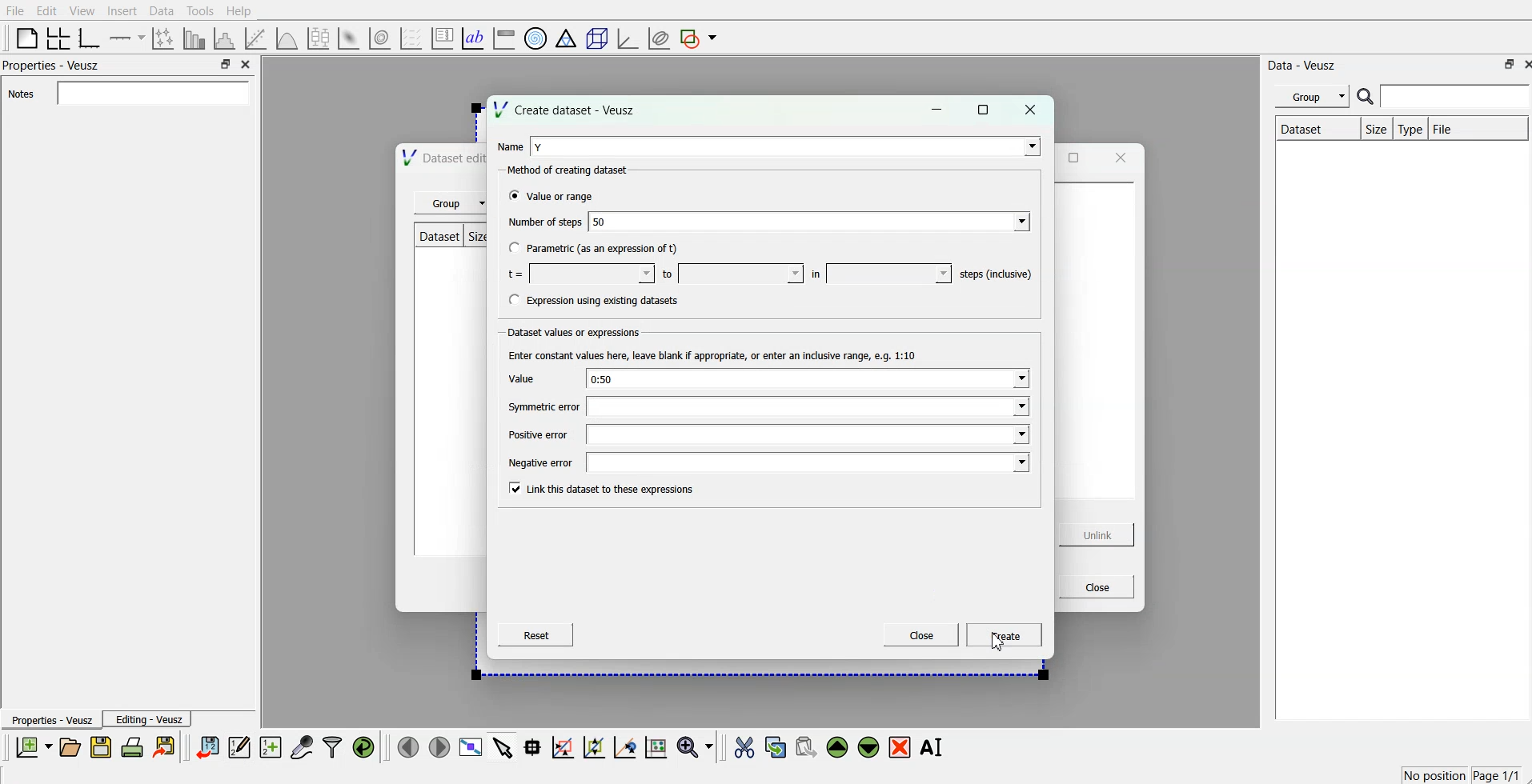 This screenshot has width=1532, height=784. Describe the element at coordinates (539, 434) in the screenshot. I see `Positive error` at that location.